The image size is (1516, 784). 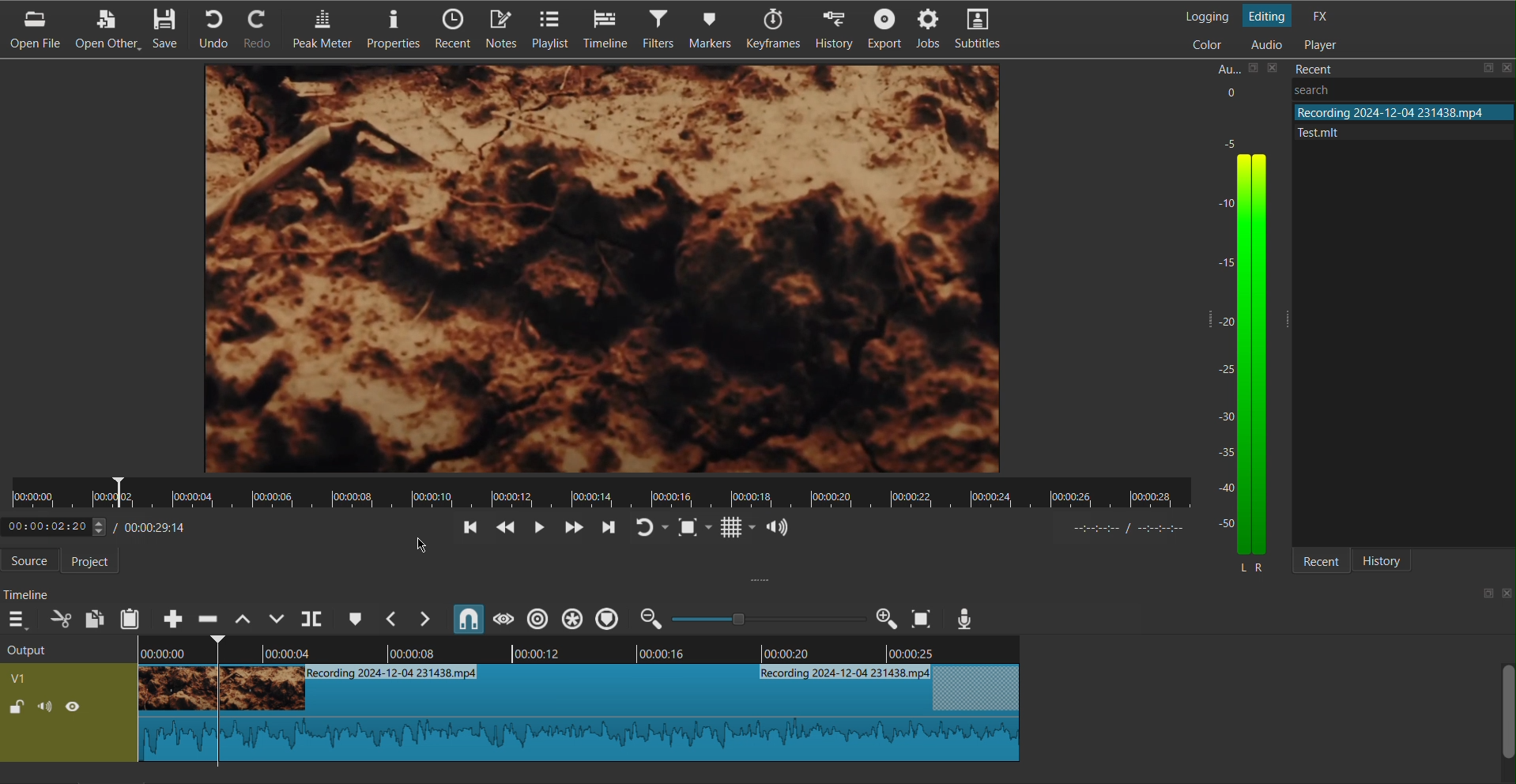 What do you see at coordinates (53, 527) in the screenshot?
I see `elapsed time` at bounding box center [53, 527].